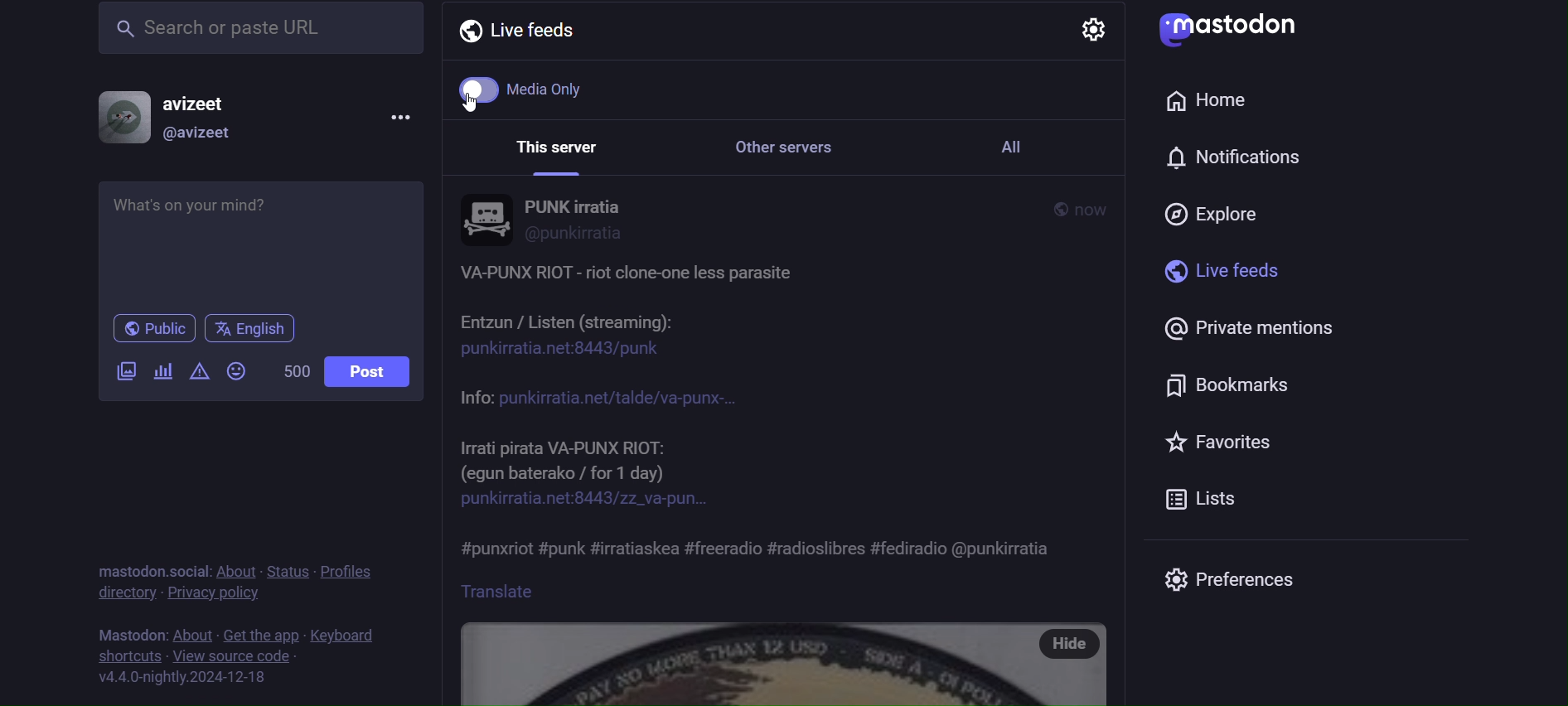  I want to click on keyboards, so click(346, 628).